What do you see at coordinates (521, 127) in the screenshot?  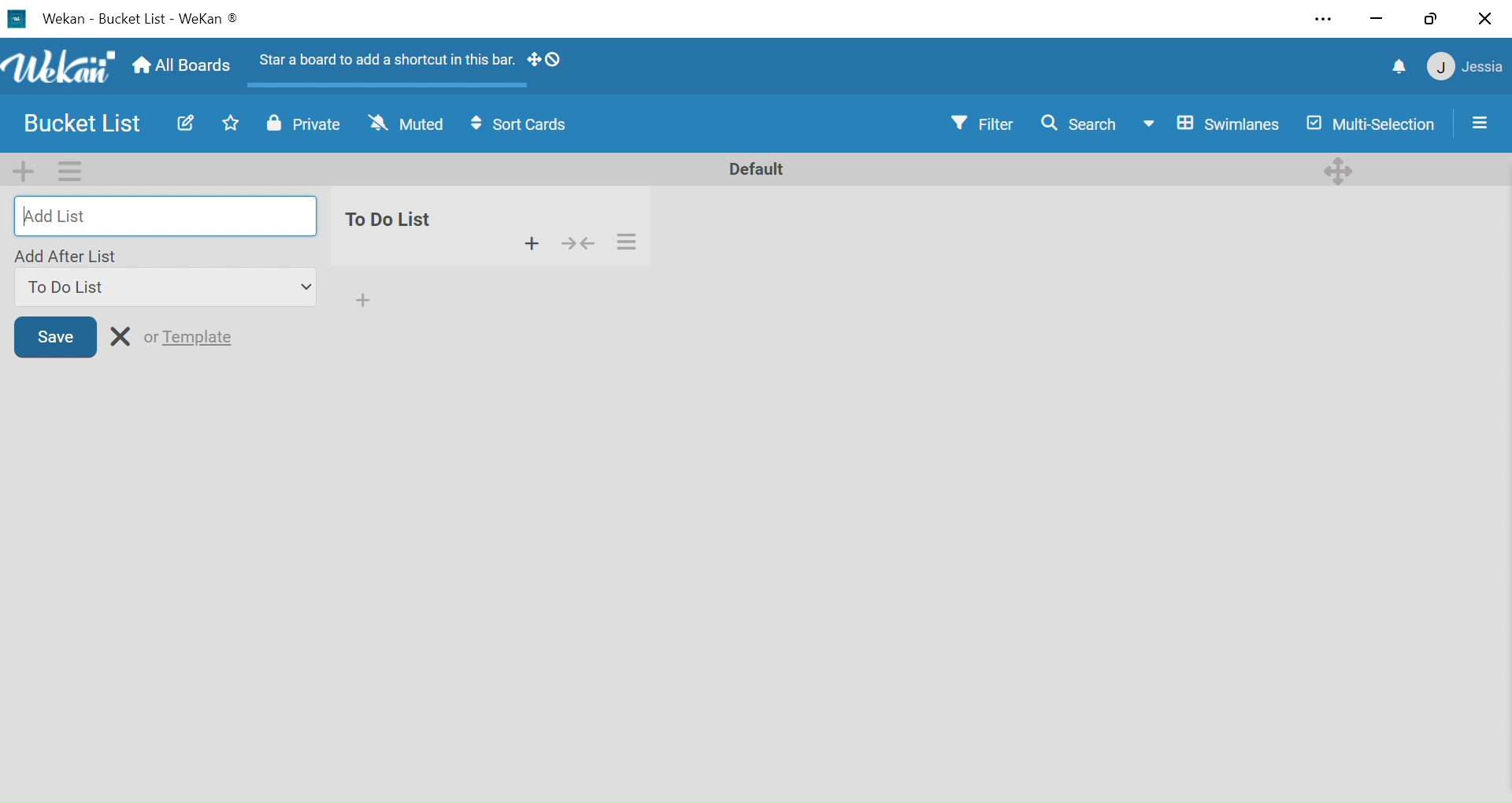 I see `Sort cards` at bounding box center [521, 127].